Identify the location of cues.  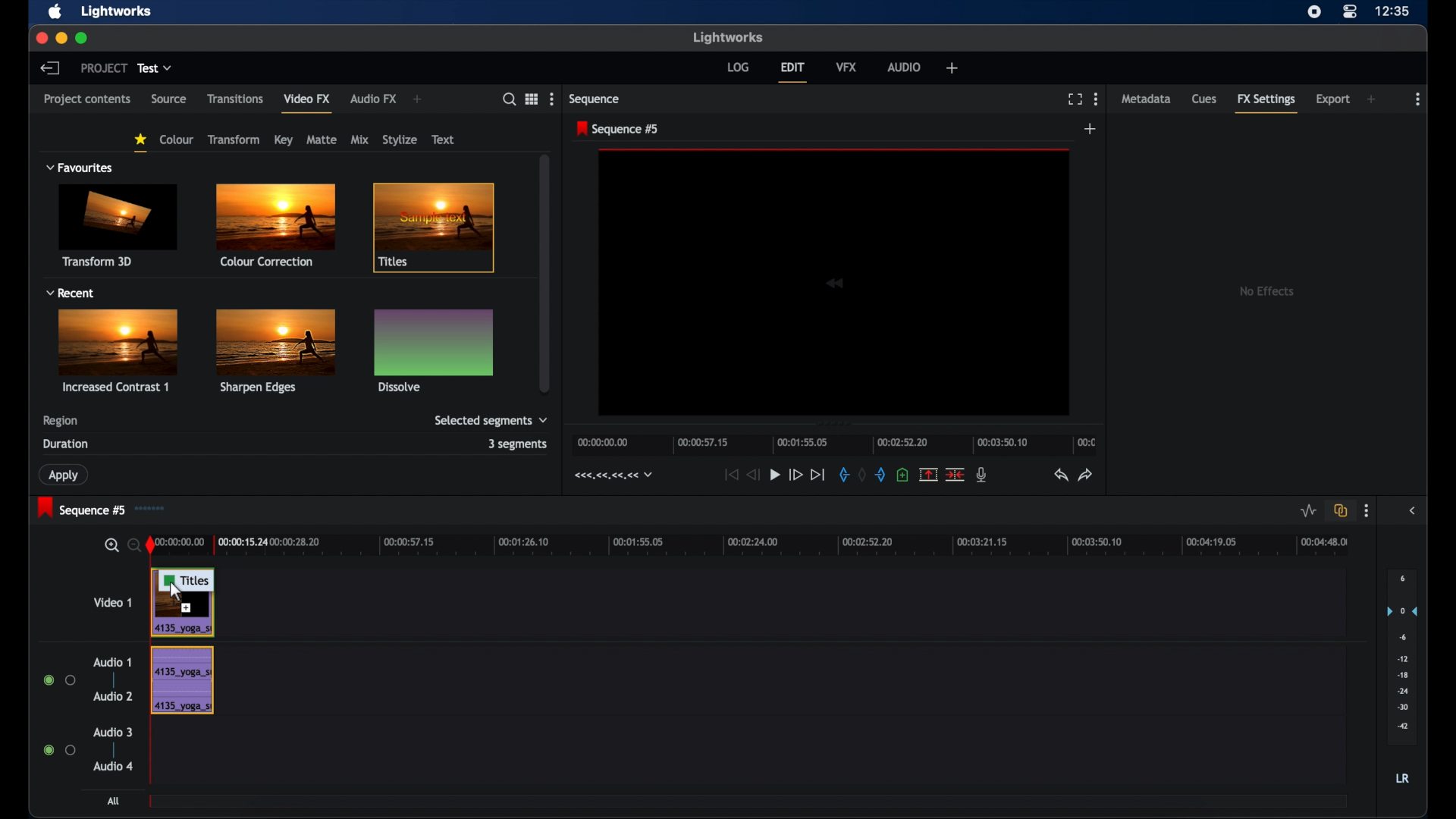
(1205, 99).